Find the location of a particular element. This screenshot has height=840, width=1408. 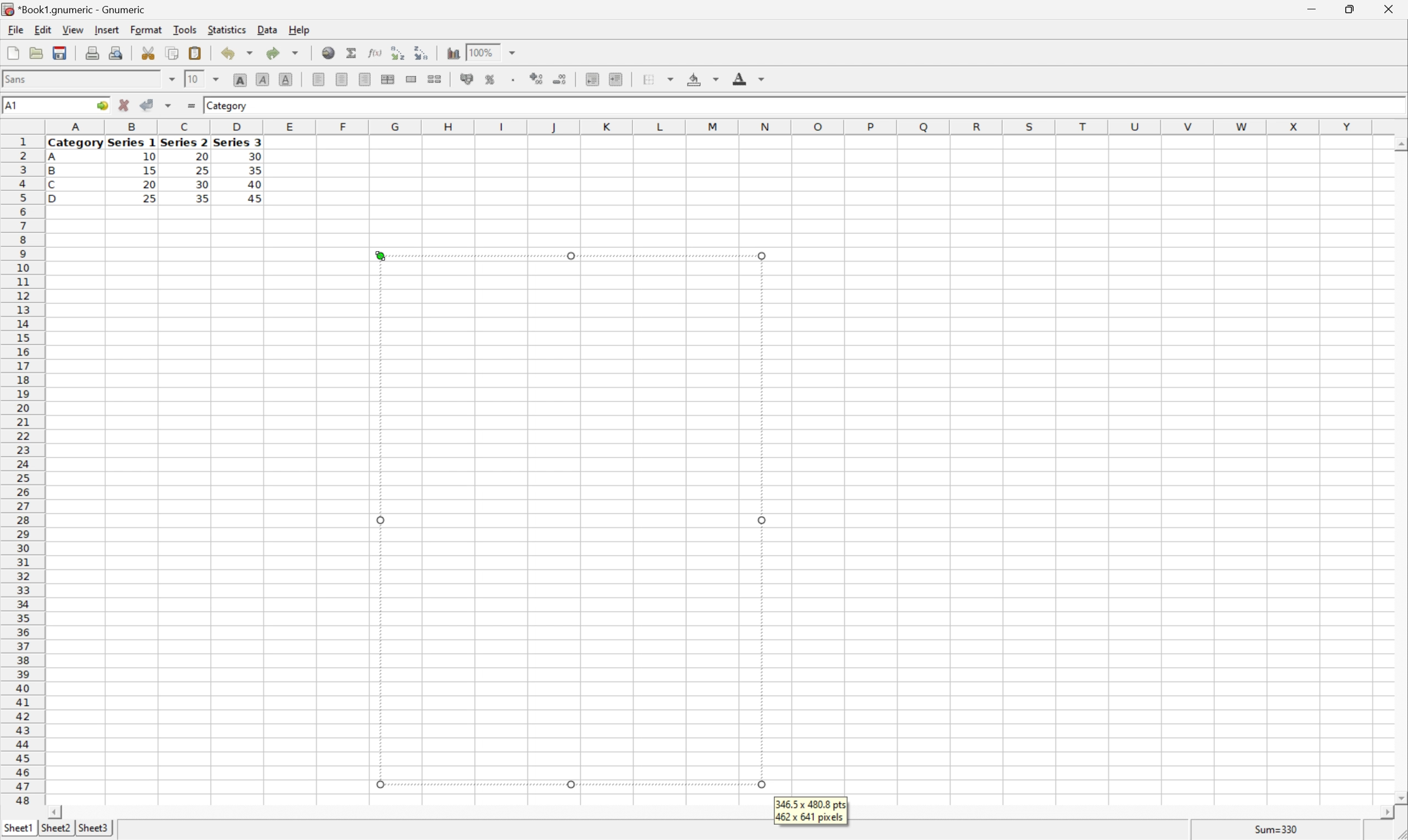

35 is located at coordinates (255, 170).